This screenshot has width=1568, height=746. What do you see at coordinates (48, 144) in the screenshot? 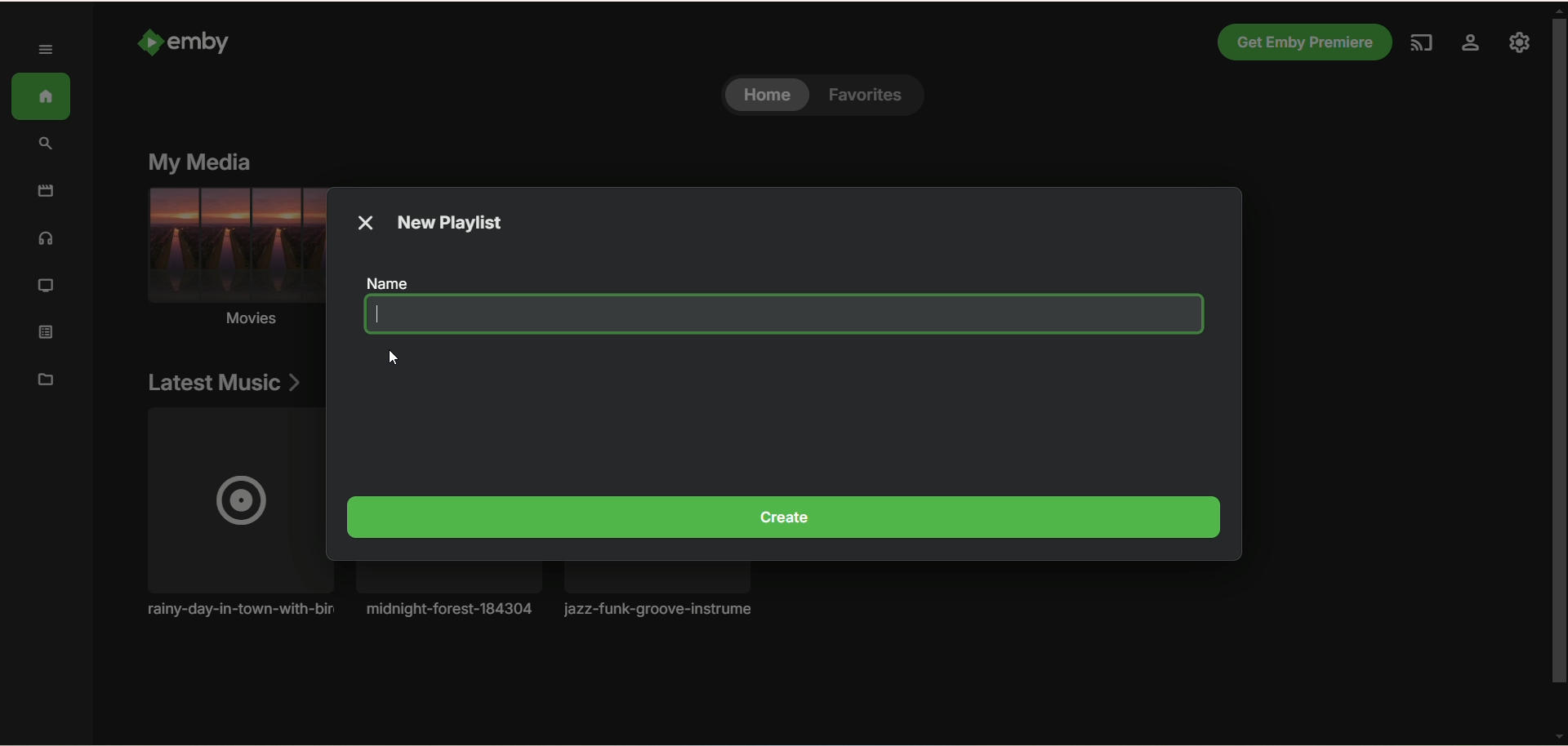
I see `search` at bounding box center [48, 144].